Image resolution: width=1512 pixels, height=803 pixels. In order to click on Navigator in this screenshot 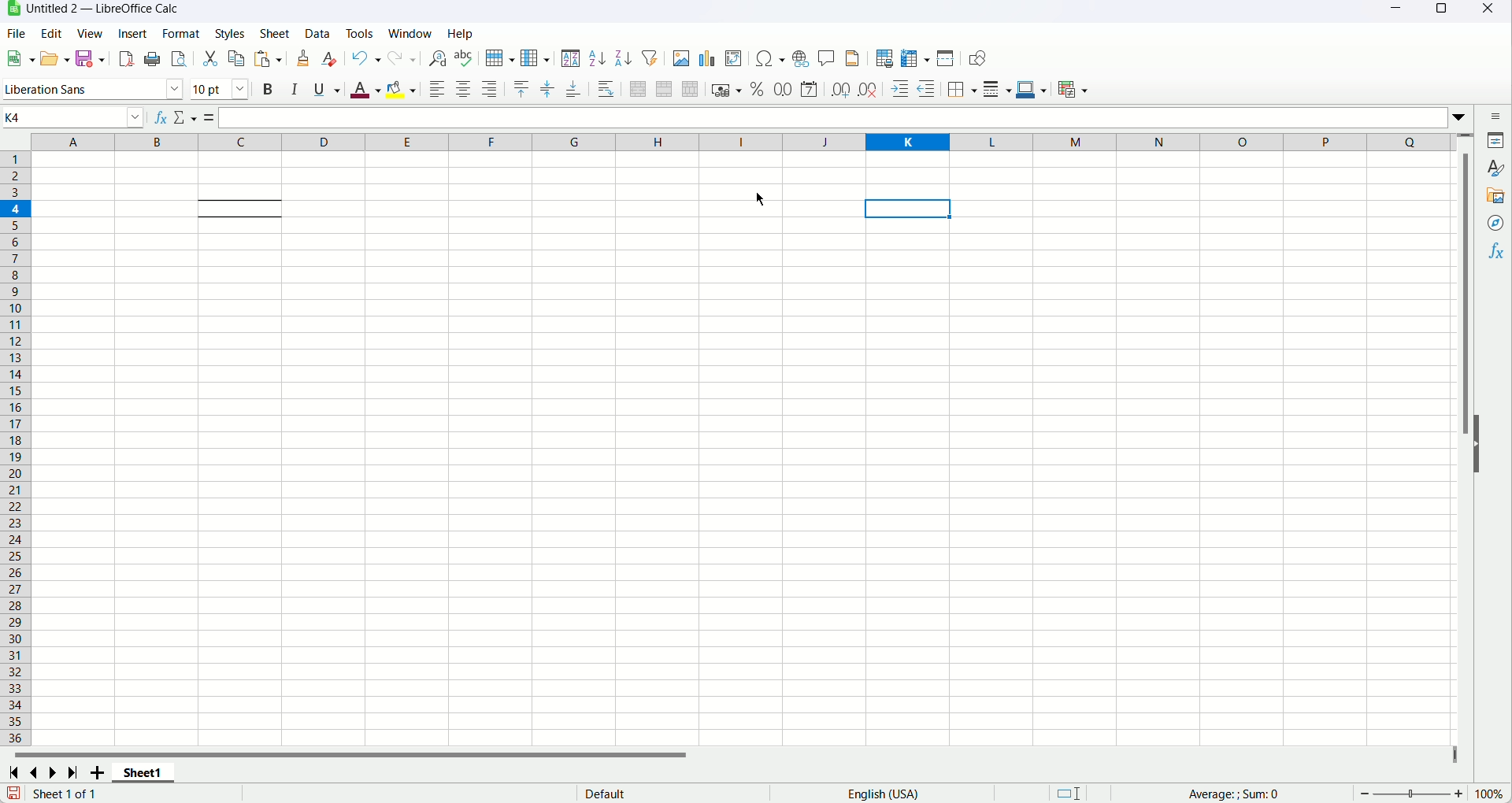, I will do `click(1497, 224)`.